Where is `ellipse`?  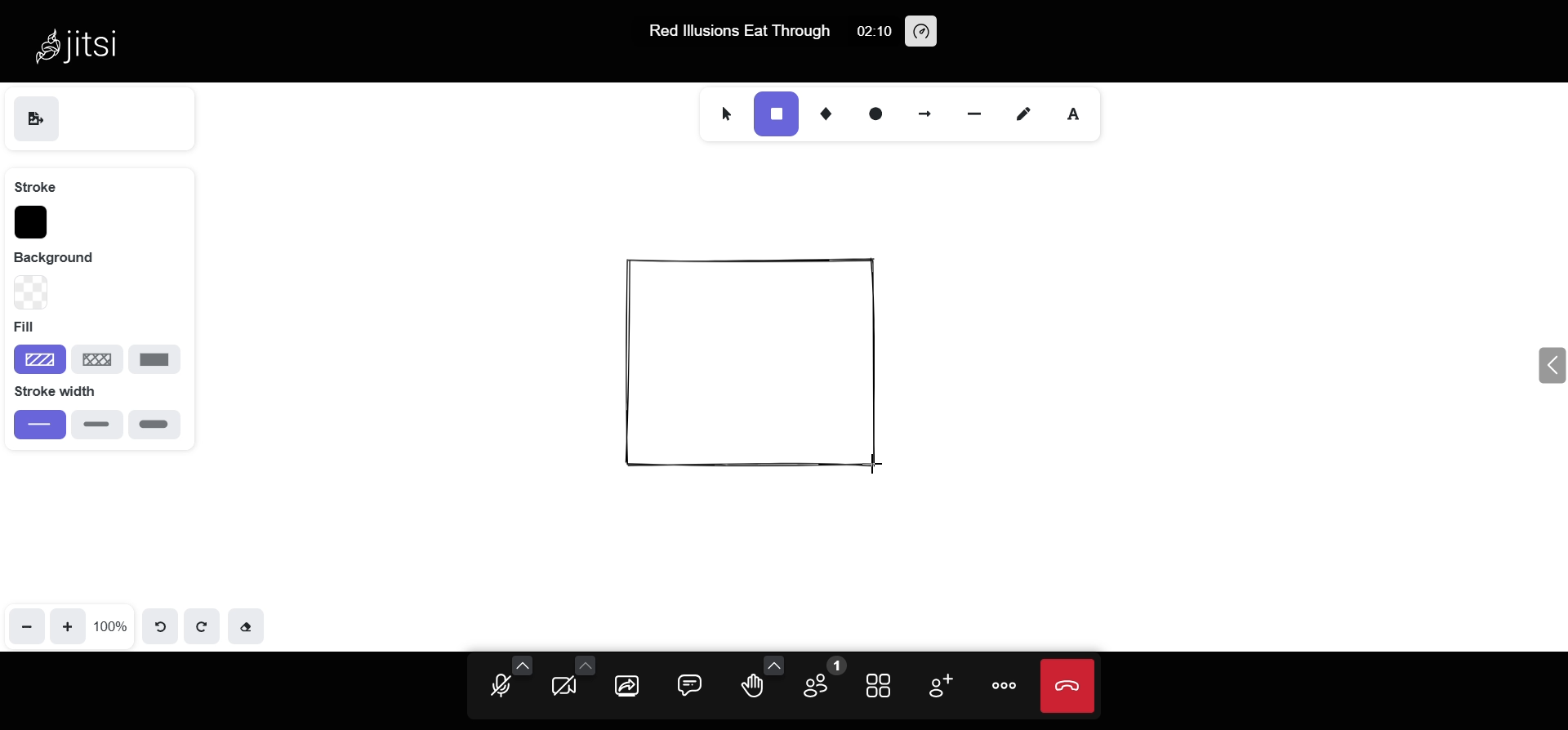
ellipse is located at coordinates (876, 111).